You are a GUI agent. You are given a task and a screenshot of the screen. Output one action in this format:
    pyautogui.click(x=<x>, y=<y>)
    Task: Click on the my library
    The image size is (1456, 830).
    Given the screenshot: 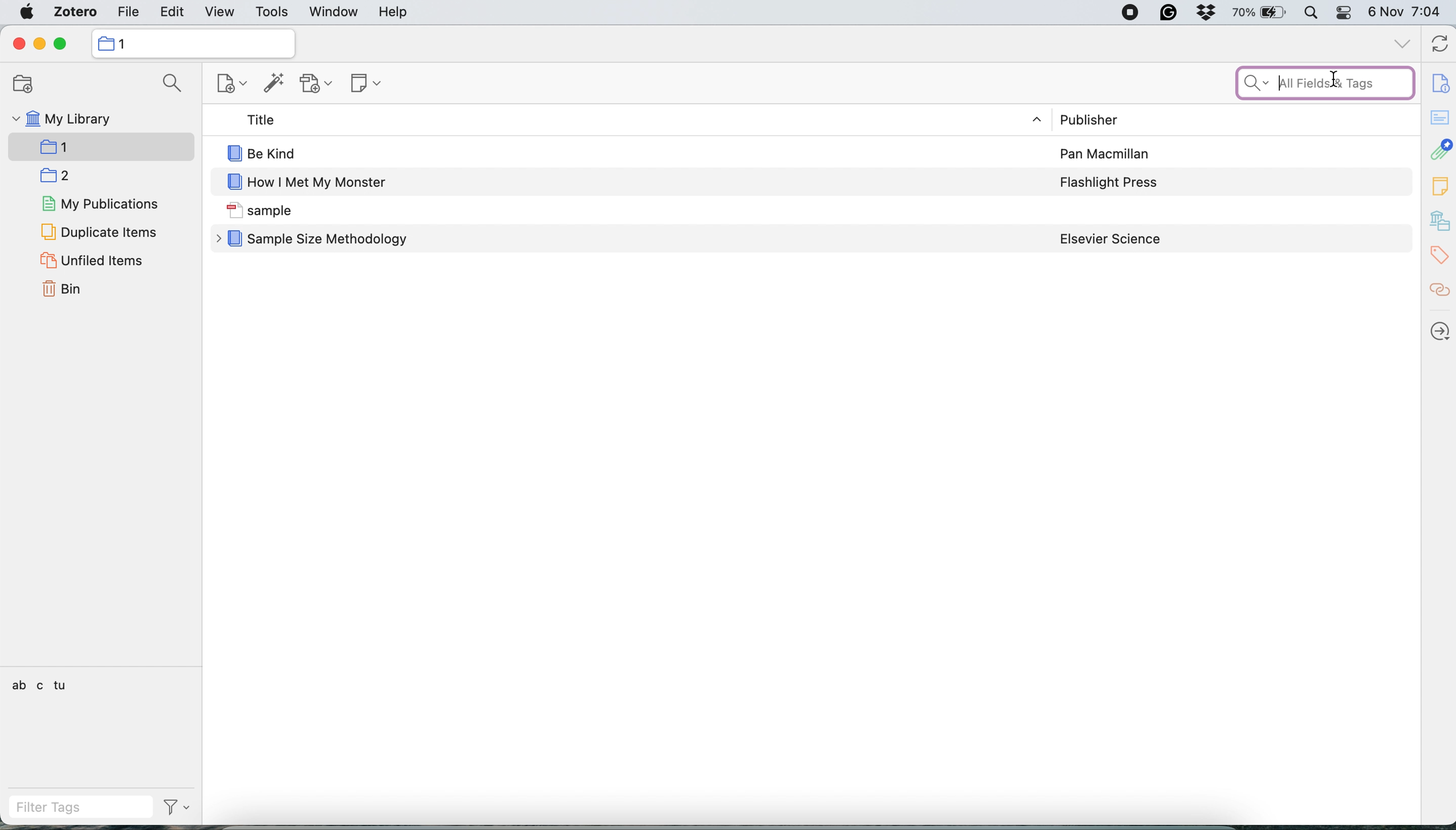 What is the action you would take?
    pyautogui.click(x=64, y=117)
    